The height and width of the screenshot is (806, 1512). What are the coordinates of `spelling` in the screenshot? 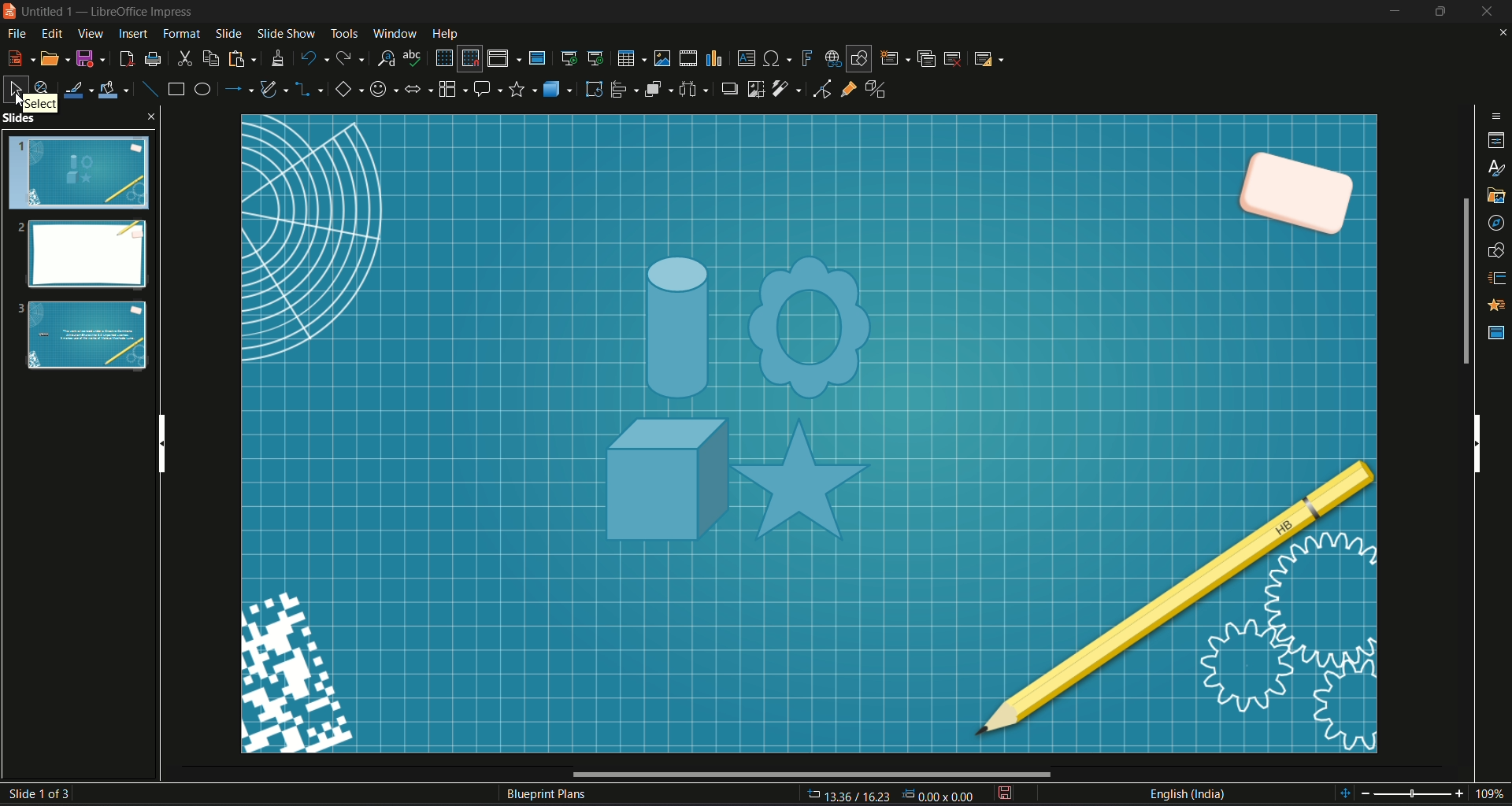 It's located at (413, 57).